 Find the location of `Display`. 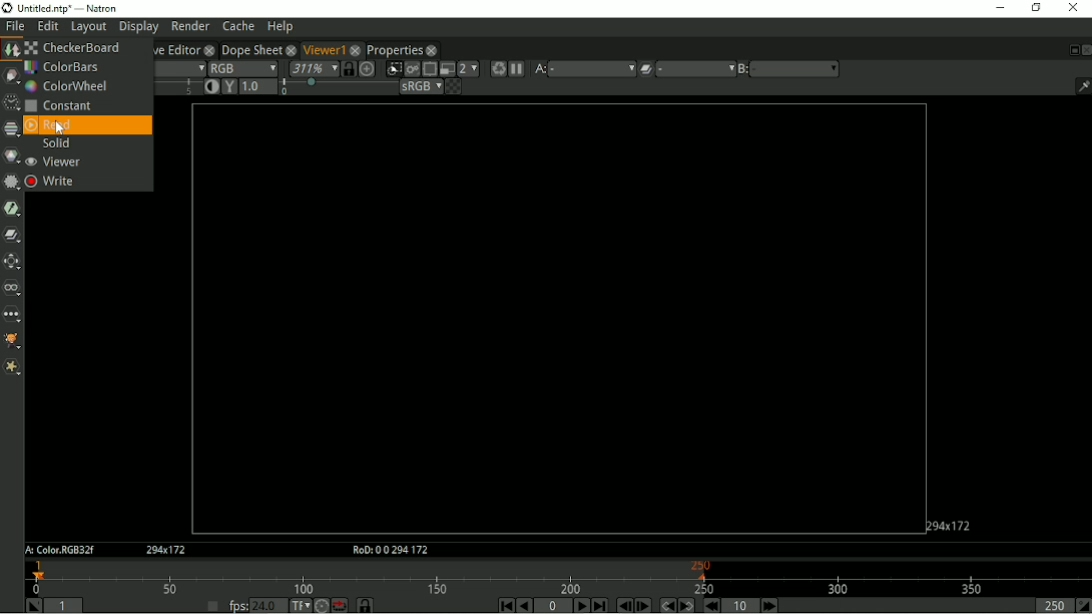

Display is located at coordinates (138, 28).